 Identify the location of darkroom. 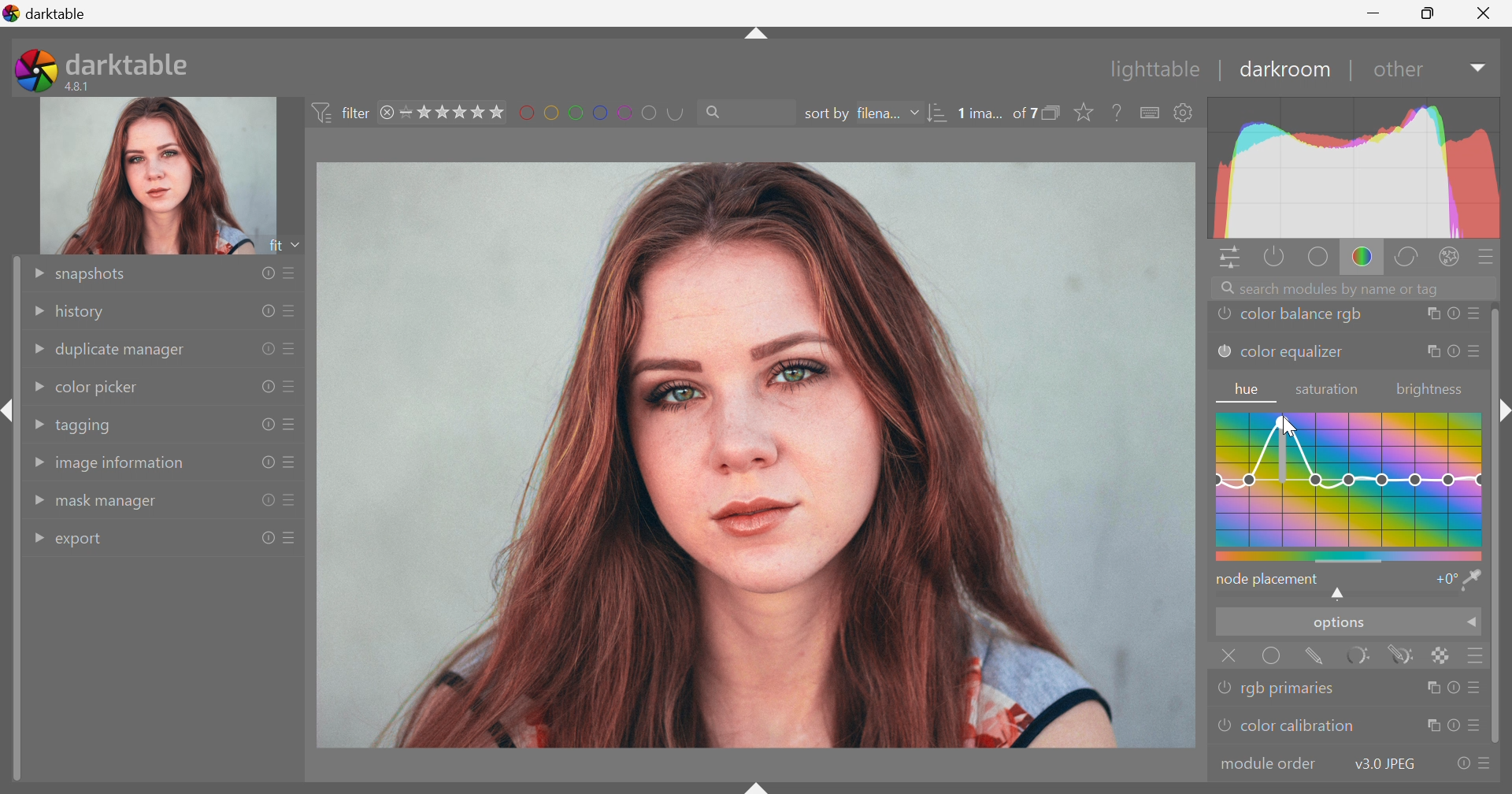
(1286, 69).